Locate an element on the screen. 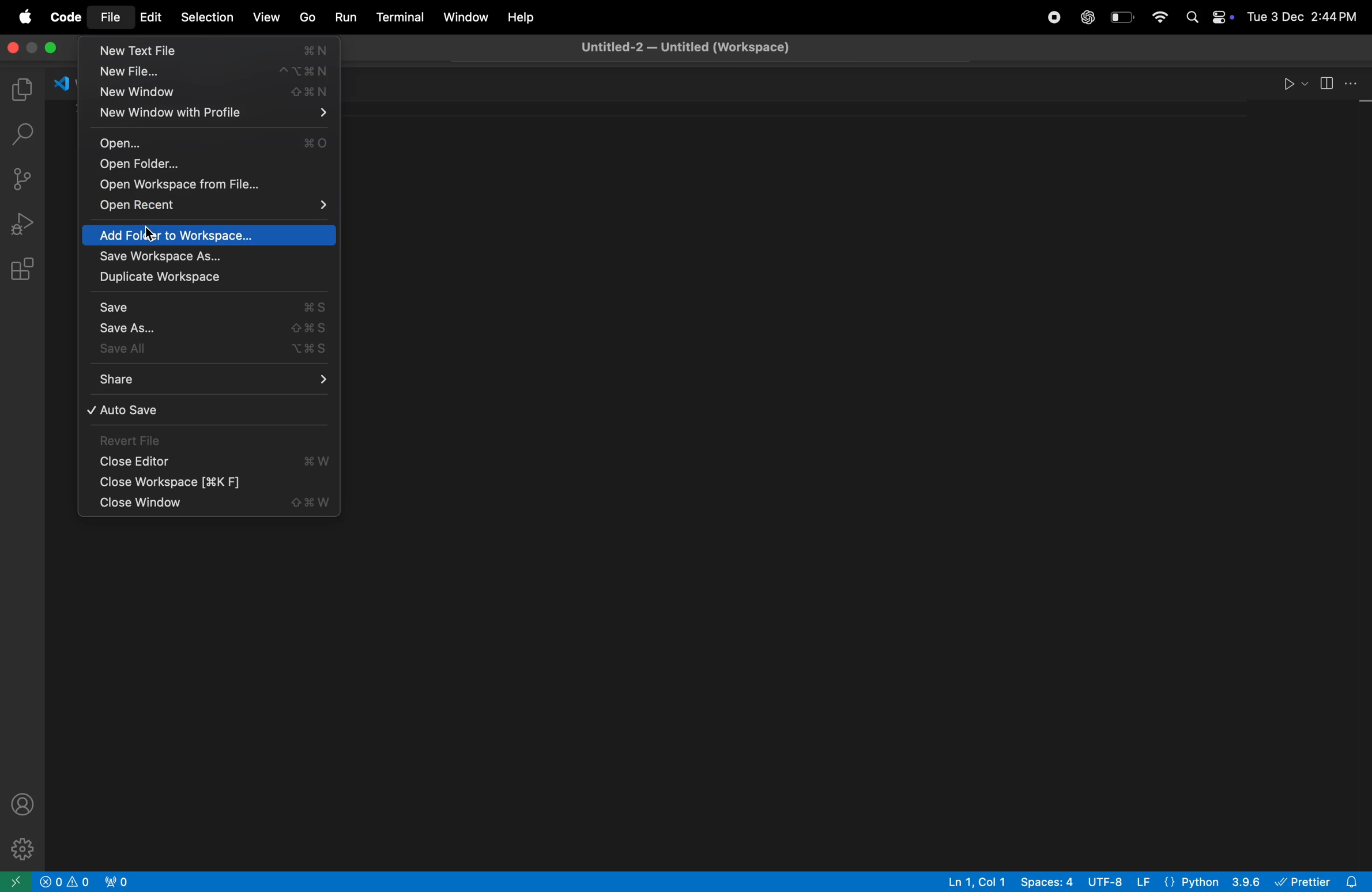 This screenshot has height=892, width=1372. no problems is located at coordinates (66, 881).